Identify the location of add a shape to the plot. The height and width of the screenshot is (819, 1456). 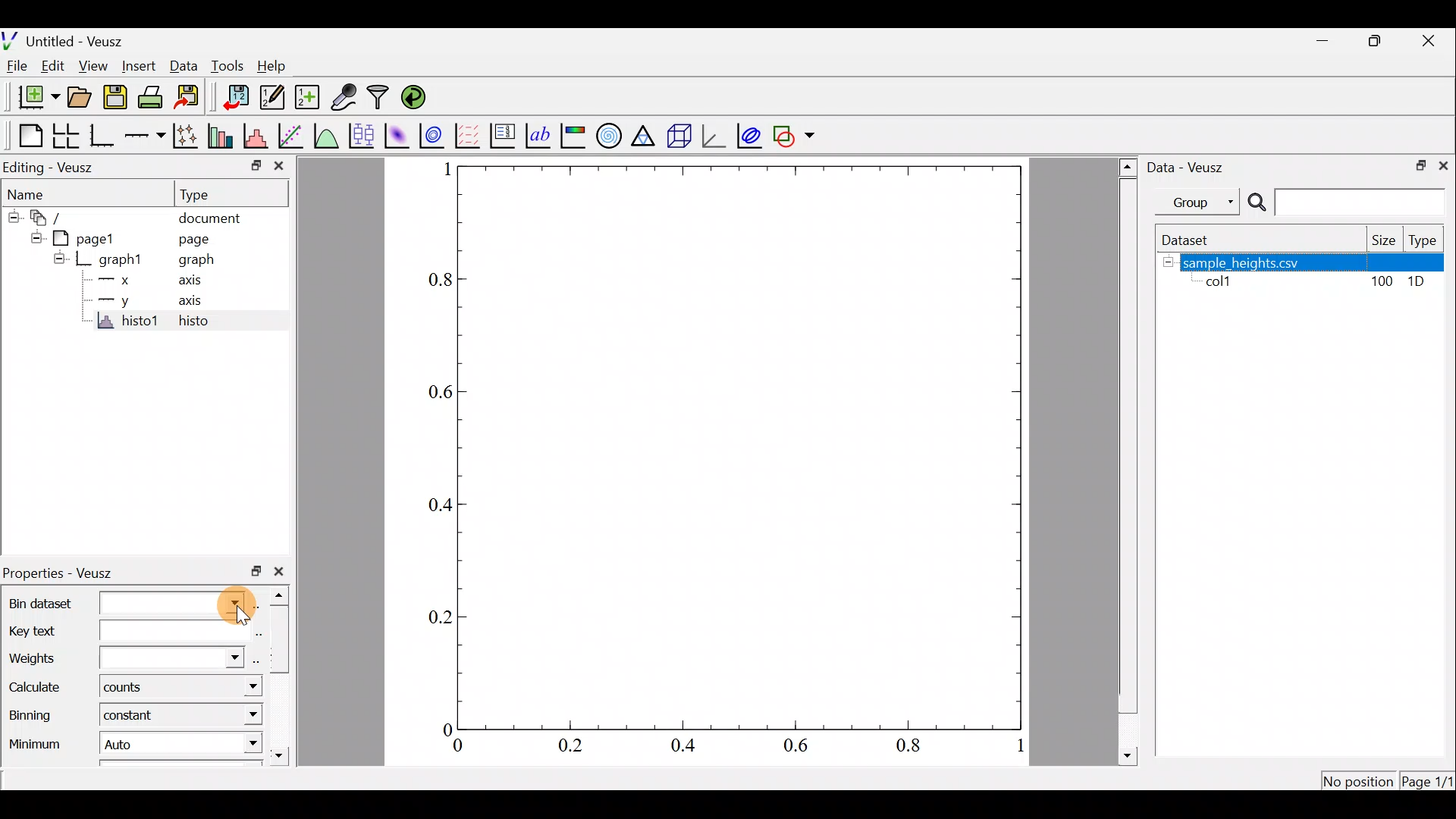
(795, 134).